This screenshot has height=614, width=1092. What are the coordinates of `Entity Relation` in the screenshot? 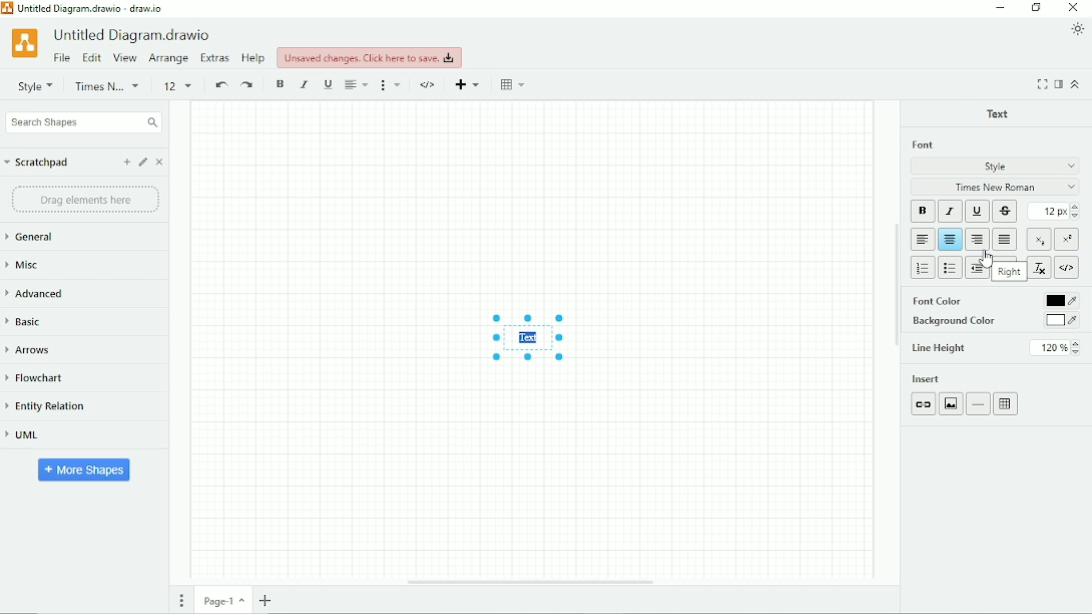 It's located at (46, 407).